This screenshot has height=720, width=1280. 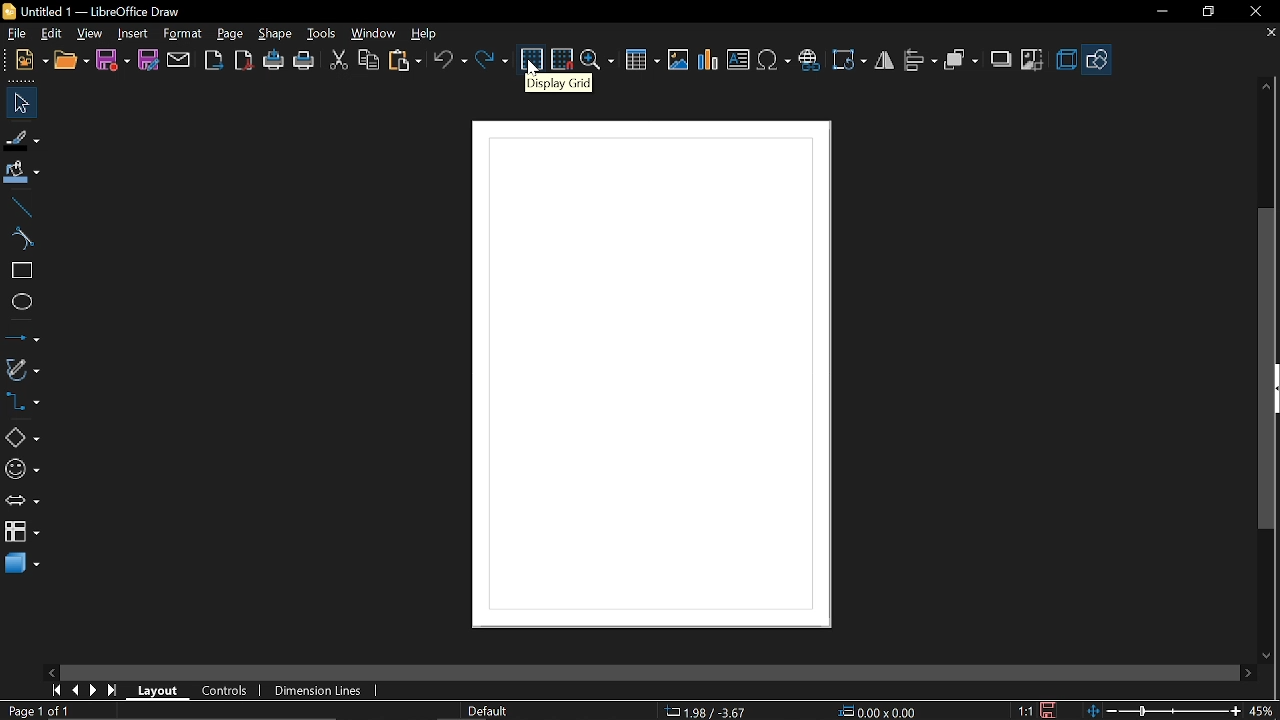 What do you see at coordinates (22, 531) in the screenshot?
I see `flowchart` at bounding box center [22, 531].